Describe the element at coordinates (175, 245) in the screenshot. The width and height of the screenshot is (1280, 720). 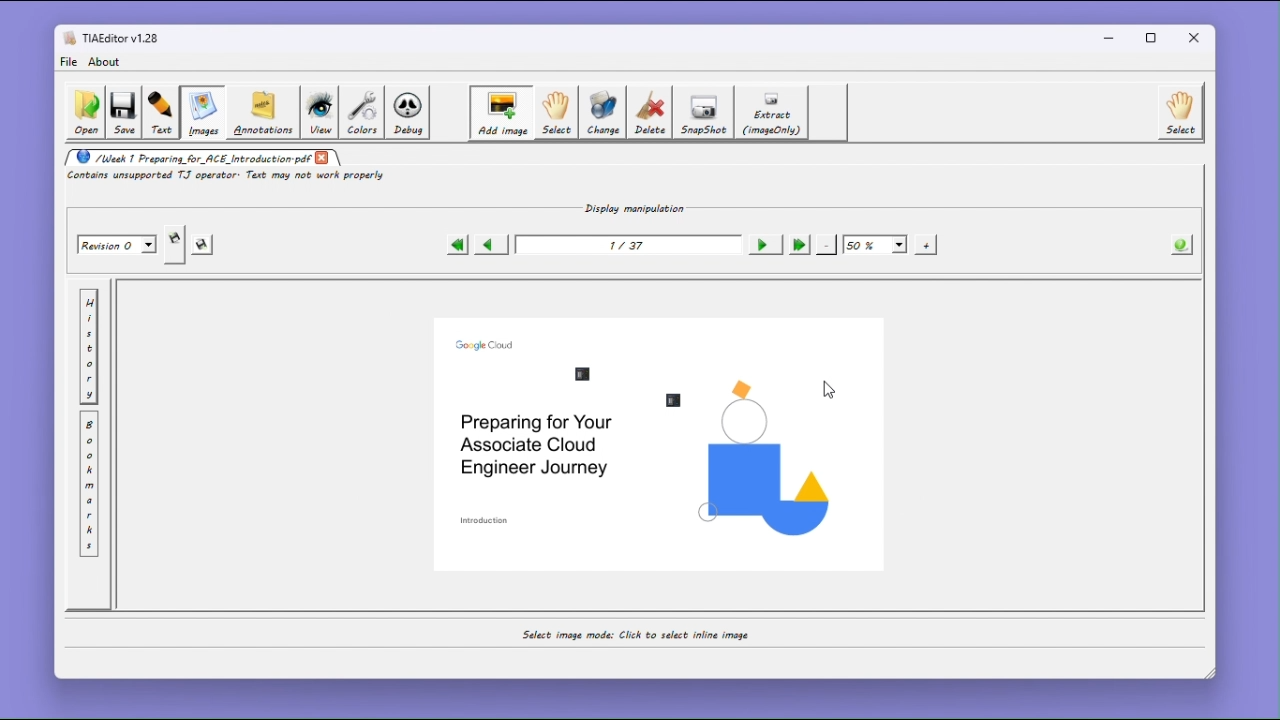
I see `Save a copy` at that location.